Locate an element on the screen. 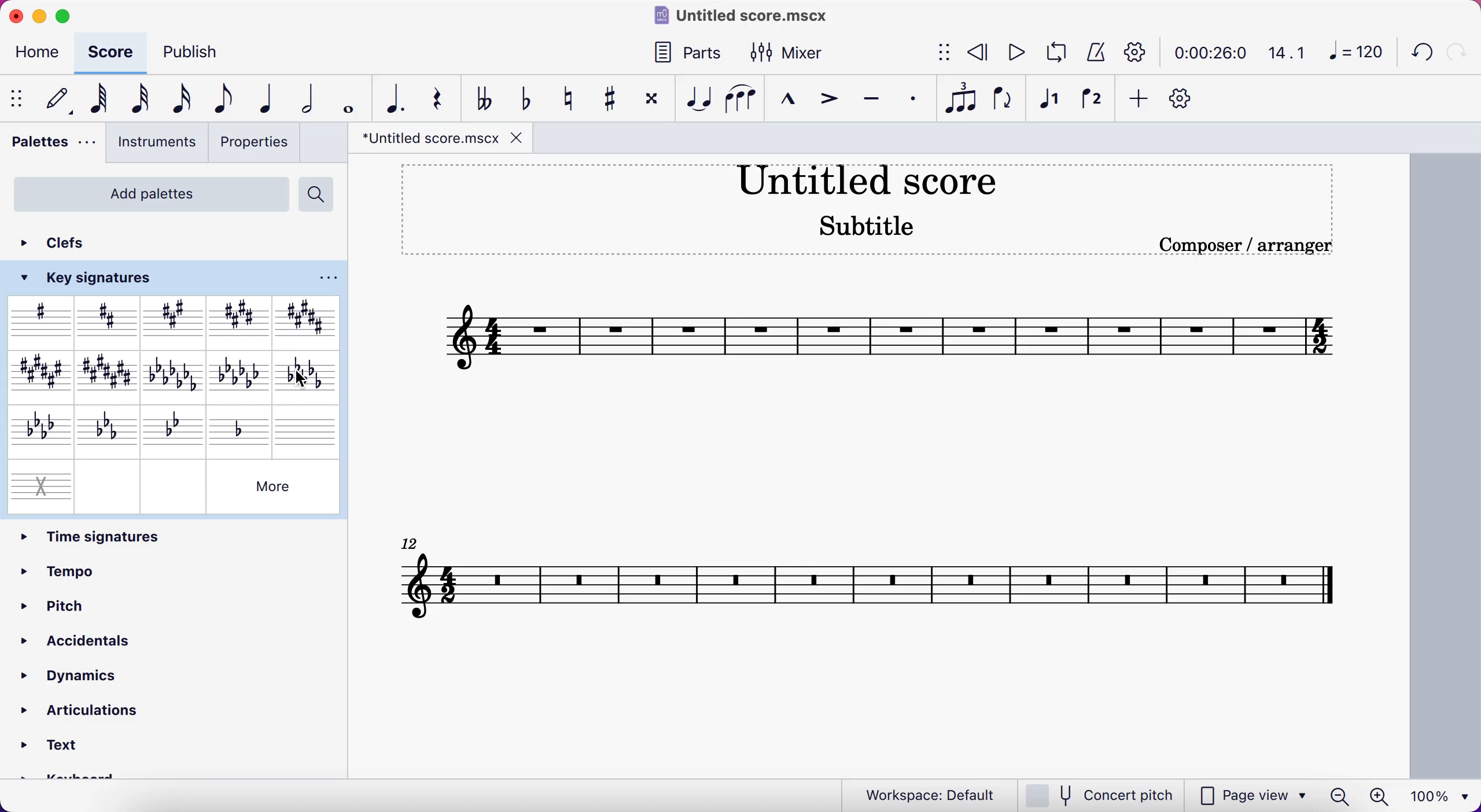 The image size is (1481, 812). accent is located at coordinates (830, 105).